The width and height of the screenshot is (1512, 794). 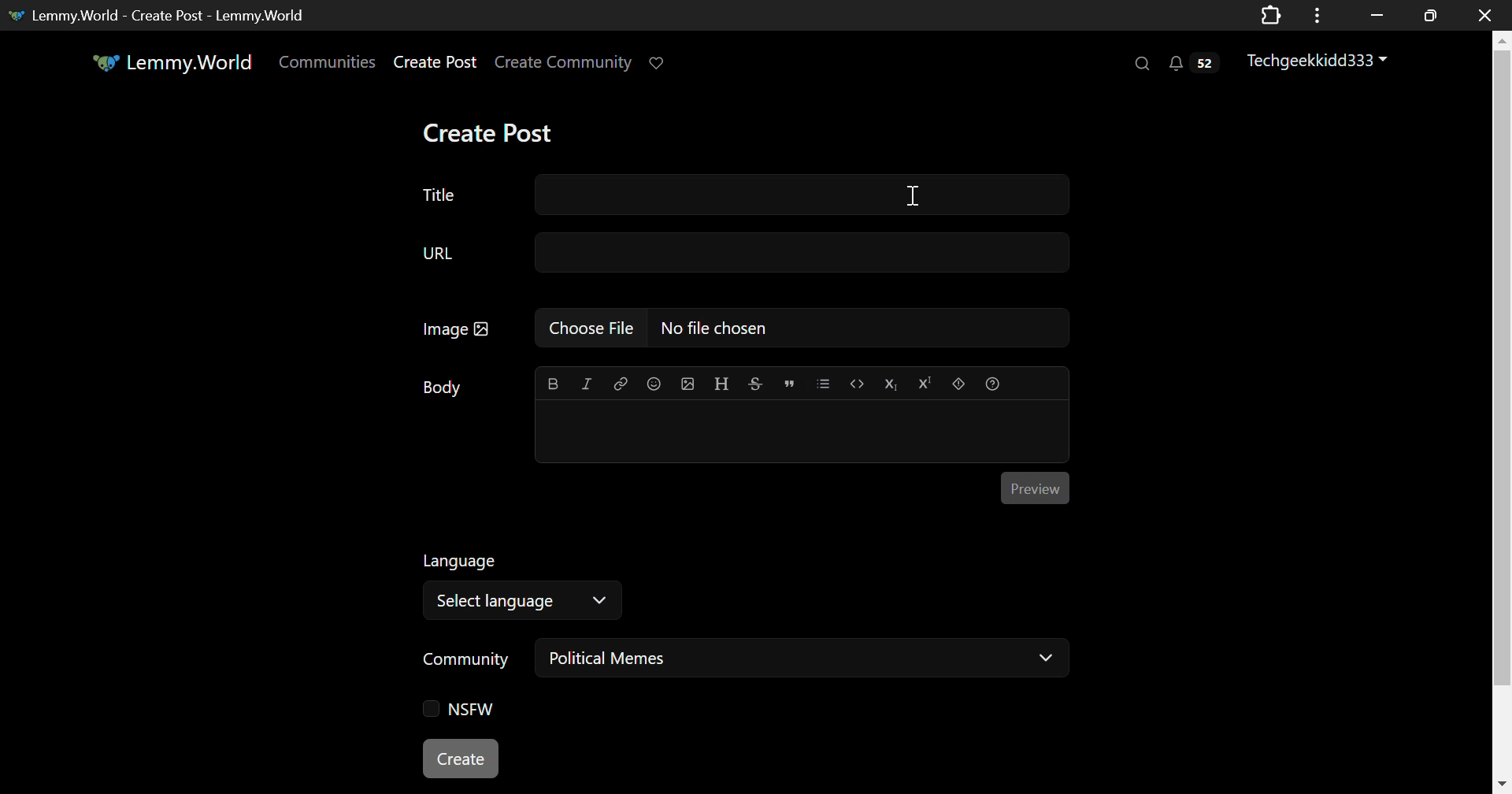 What do you see at coordinates (892, 384) in the screenshot?
I see `Subscript` at bounding box center [892, 384].